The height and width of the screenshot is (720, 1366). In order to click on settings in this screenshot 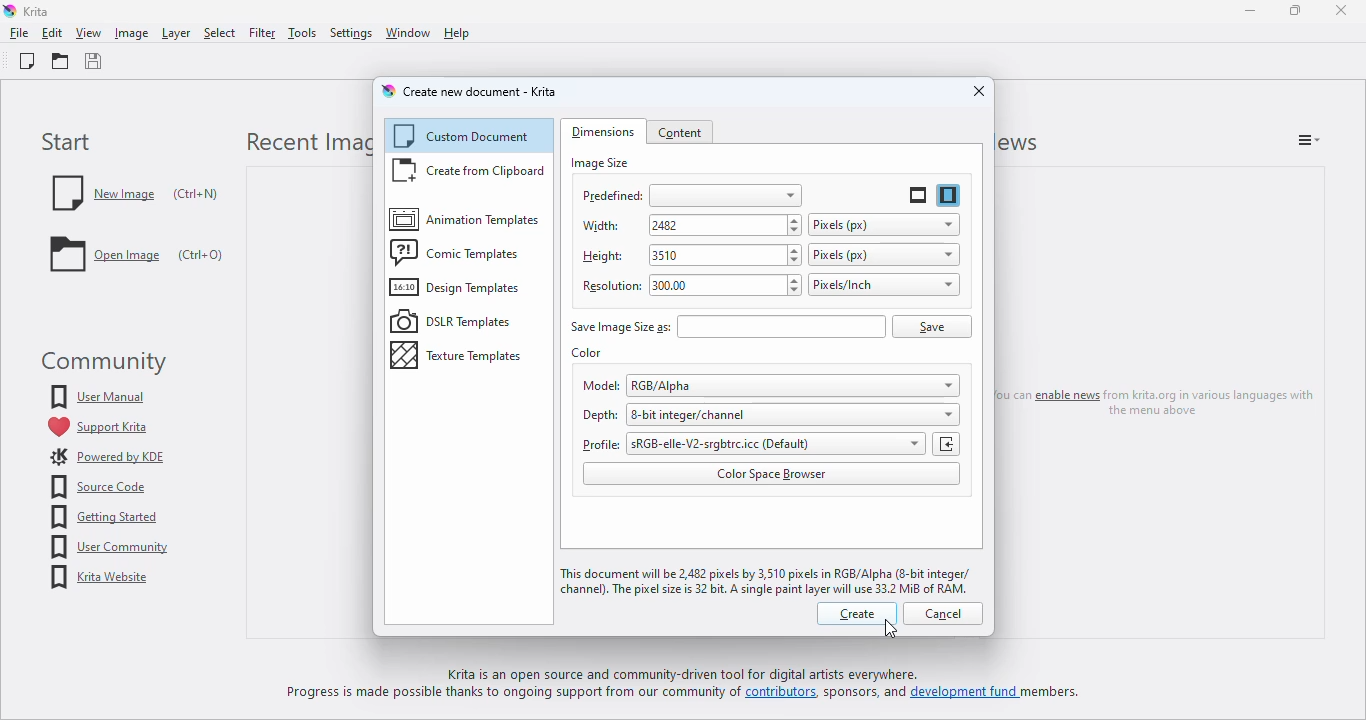, I will do `click(350, 33)`.